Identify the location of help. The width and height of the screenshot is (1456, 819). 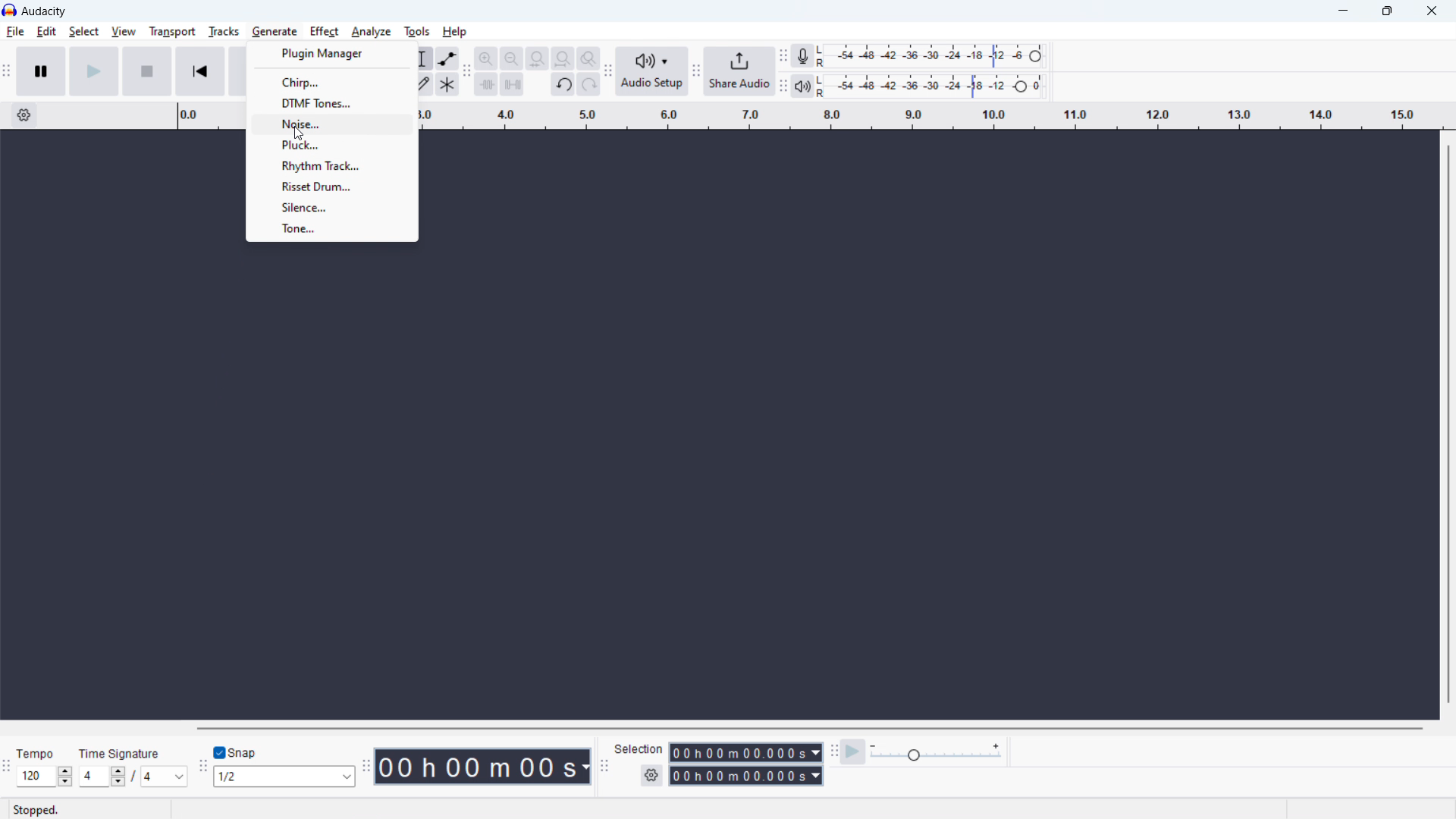
(454, 32).